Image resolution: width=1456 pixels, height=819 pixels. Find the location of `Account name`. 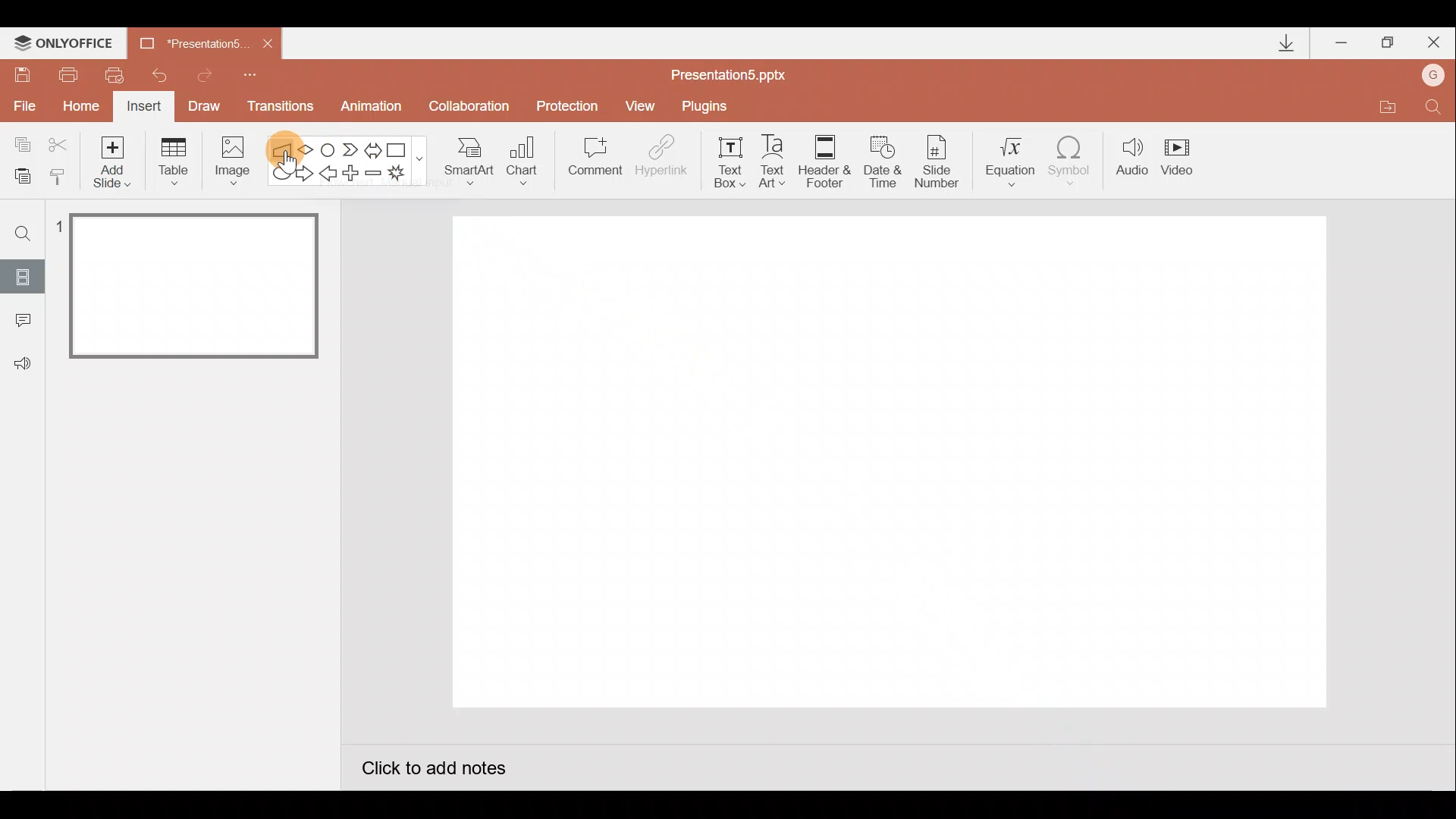

Account name is located at coordinates (1434, 77).